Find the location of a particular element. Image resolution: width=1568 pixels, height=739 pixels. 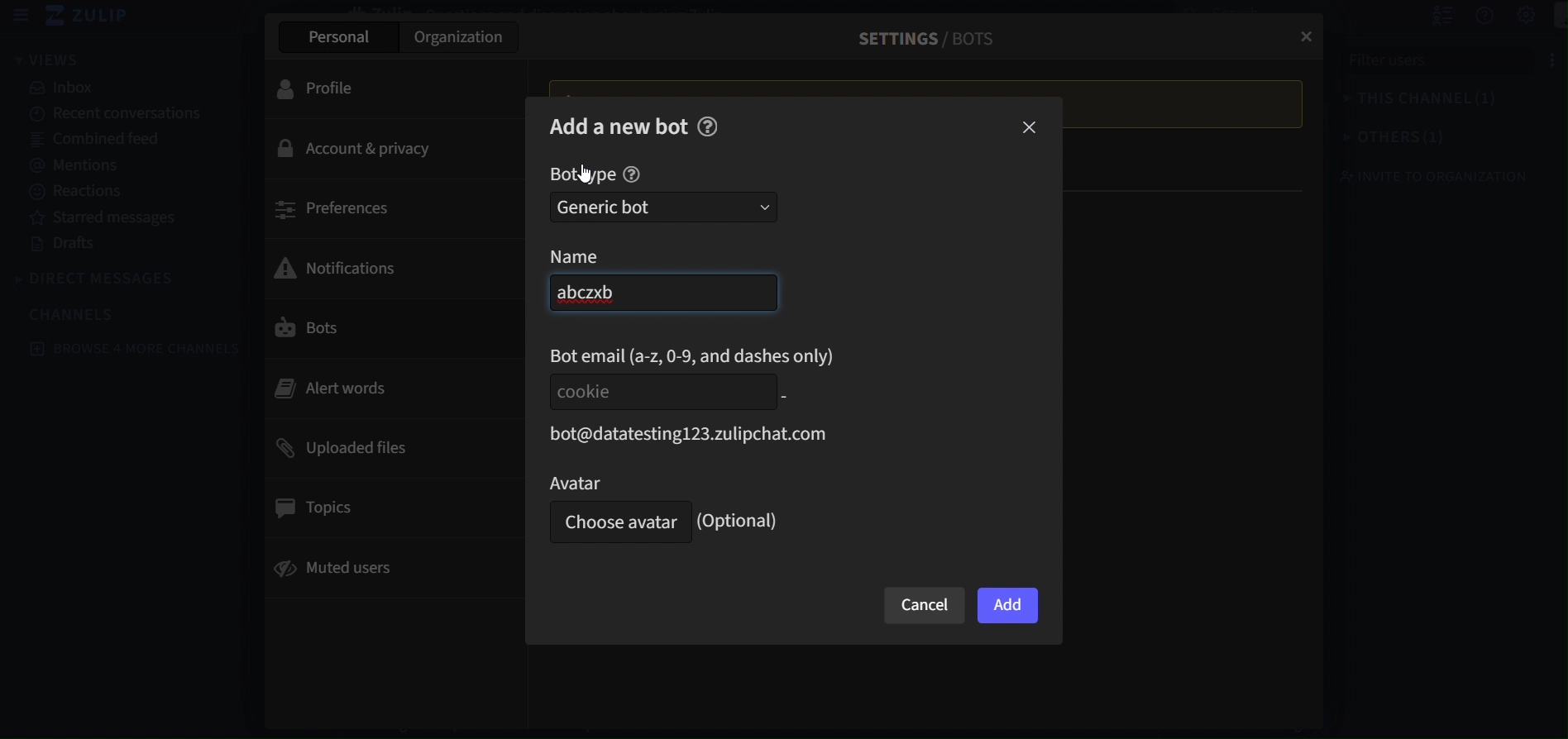

inbox is located at coordinates (123, 88).